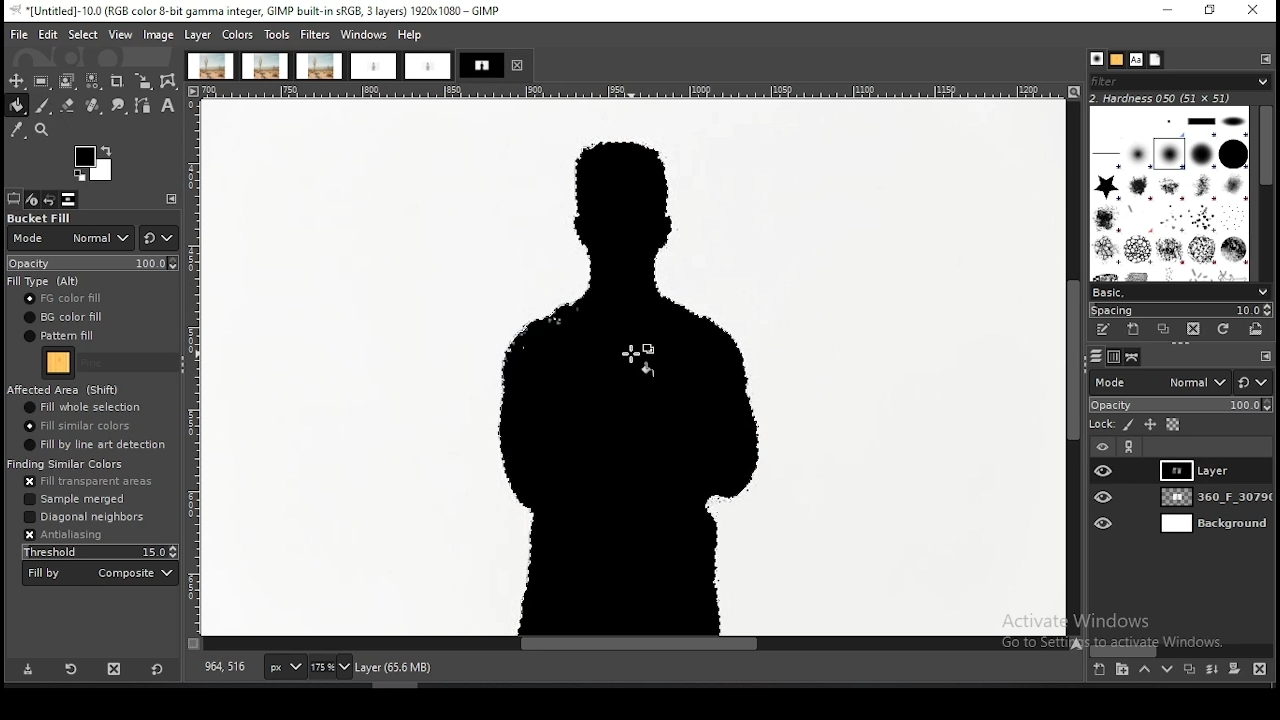 The image size is (1280, 720). What do you see at coordinates (637, 91) in the screenshot?
I see `scale` at bounding box center [637, 91].